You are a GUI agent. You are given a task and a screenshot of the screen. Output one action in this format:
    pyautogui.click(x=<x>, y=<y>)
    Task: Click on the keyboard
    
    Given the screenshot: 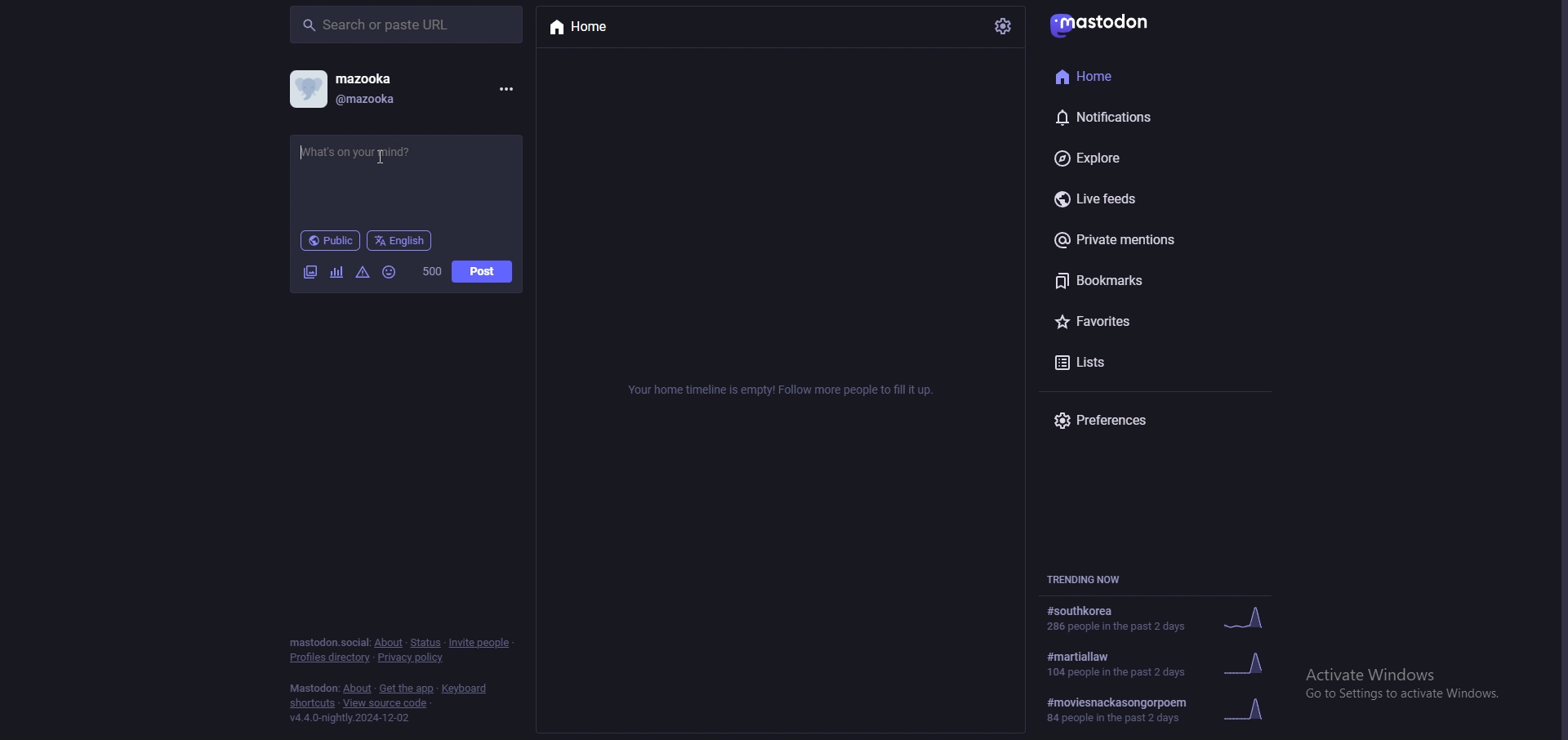 What is the action you would take?
    pyautogui.click(x=466, y=689)
    